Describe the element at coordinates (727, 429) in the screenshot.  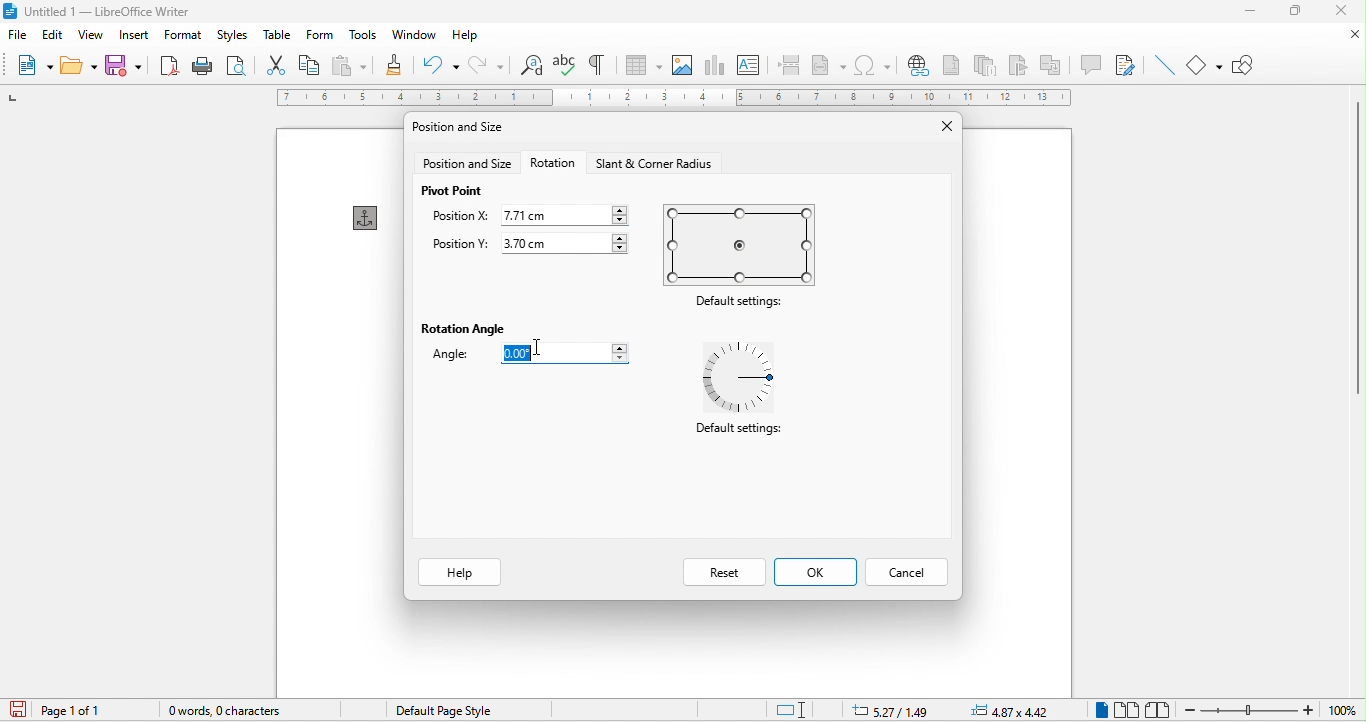
I see `Default settings:` at that location.